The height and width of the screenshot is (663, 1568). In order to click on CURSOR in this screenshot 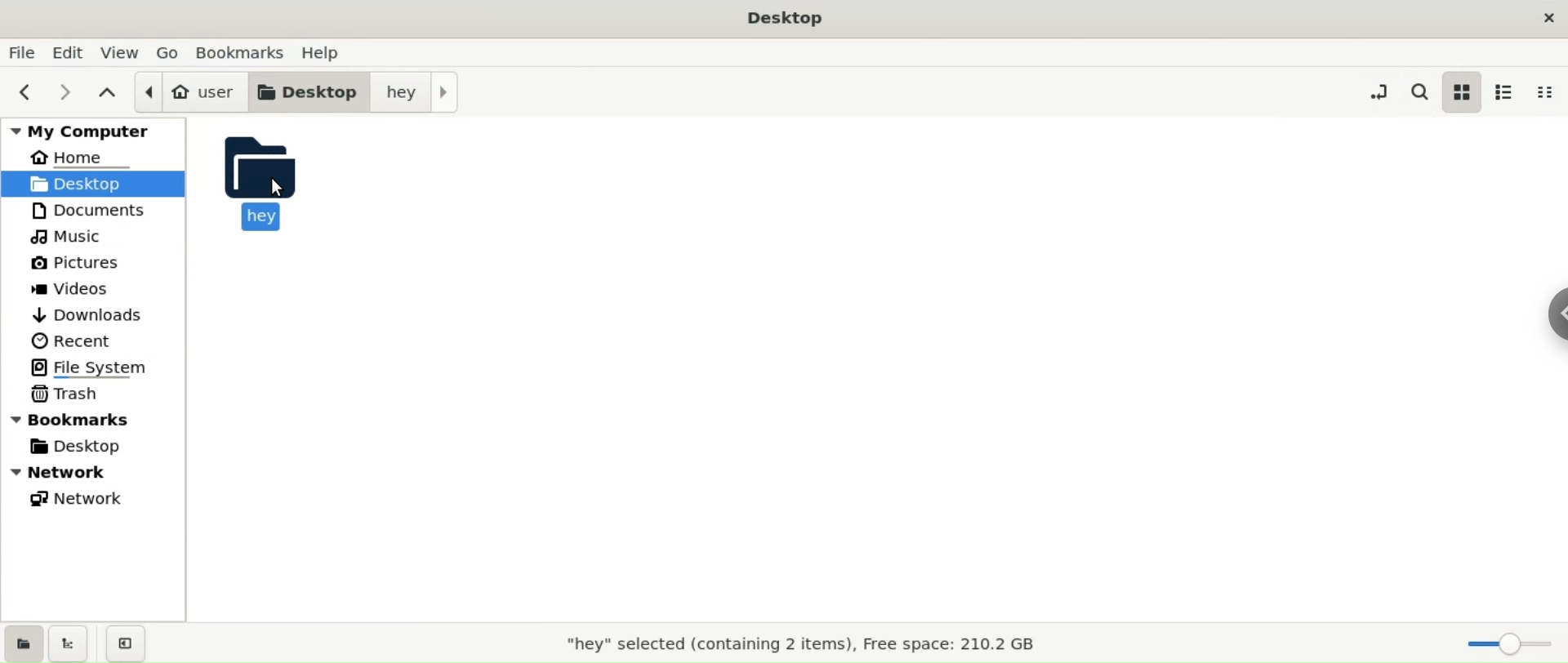, I will do `click(280, 189)`.